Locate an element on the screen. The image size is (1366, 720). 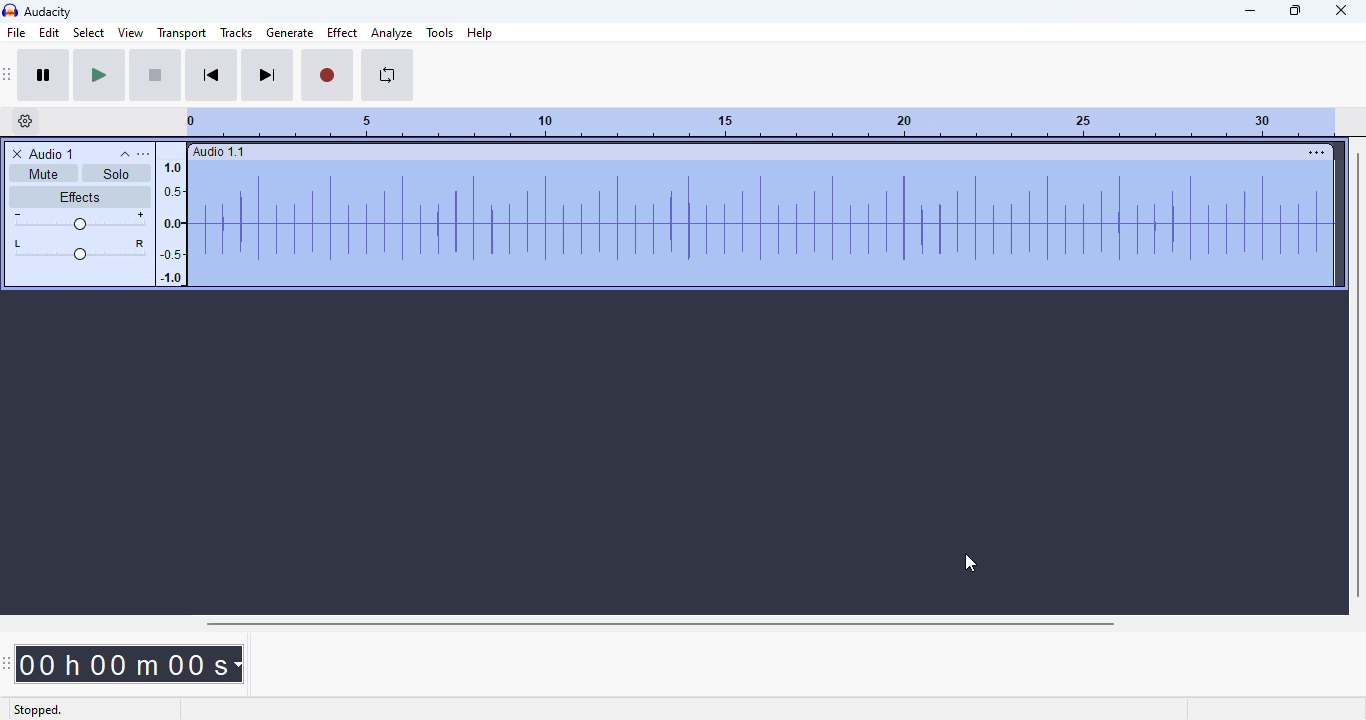
tools is located at coordinates (439, 33).